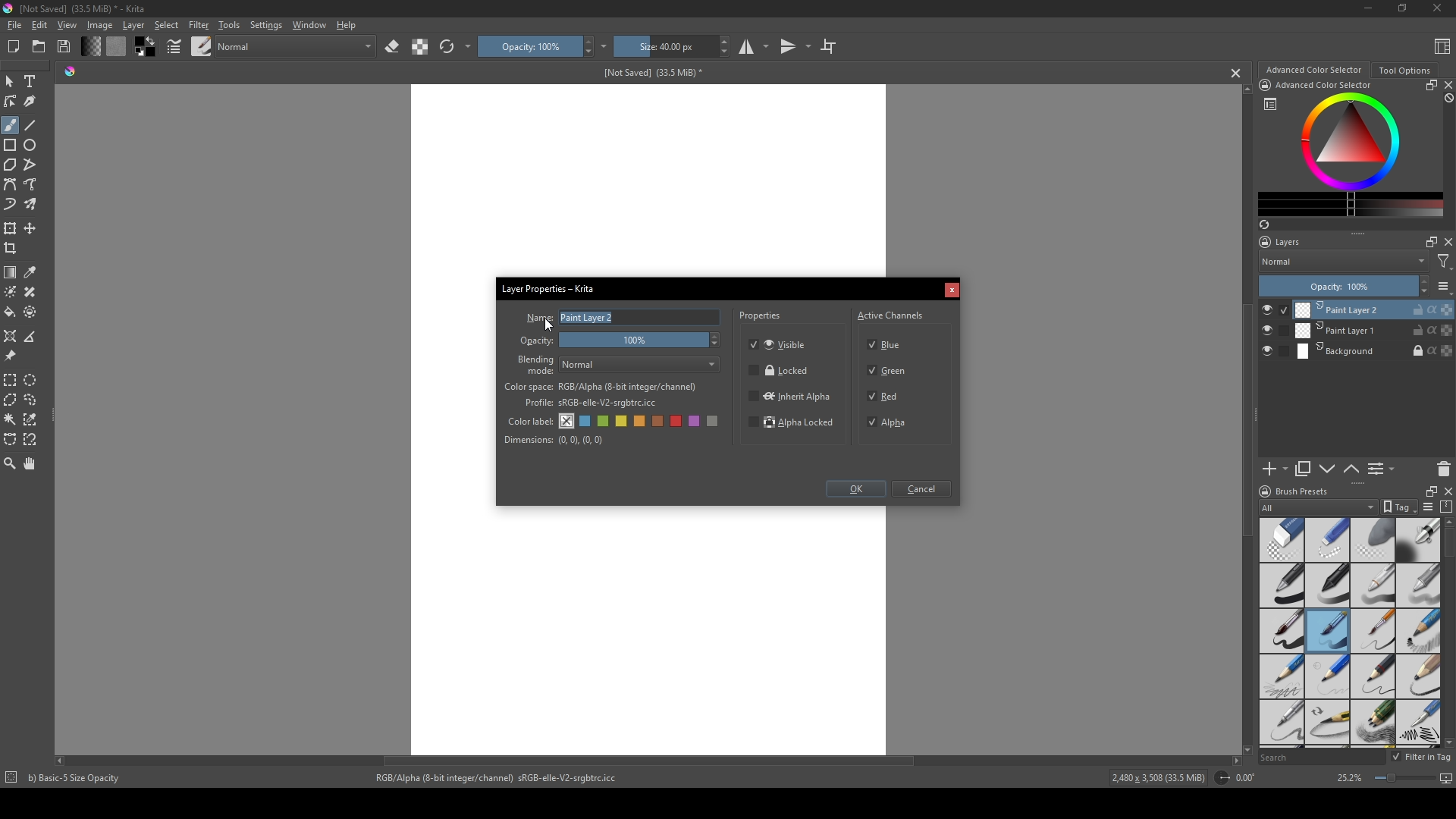 Image resolution: width=1456 pixels, height=819 pixels. What do you see at coordinates (1419, 676) in the screenshot?
I see `pencil` at bounding box center [1419, 676].